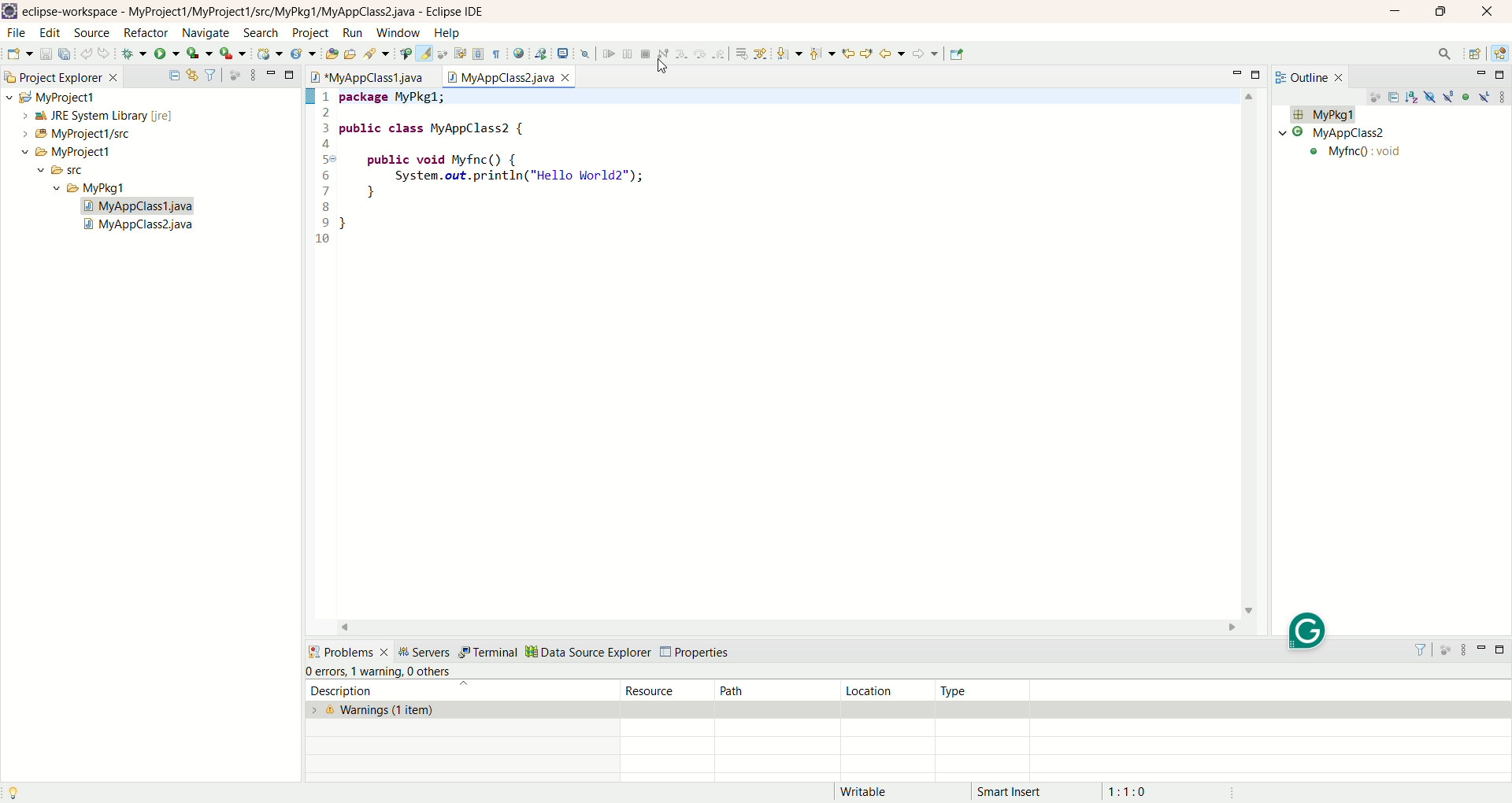  What do you see at coordinates (887, 690) in the screenshot?
I see `location` at bounding box center [887, 690].